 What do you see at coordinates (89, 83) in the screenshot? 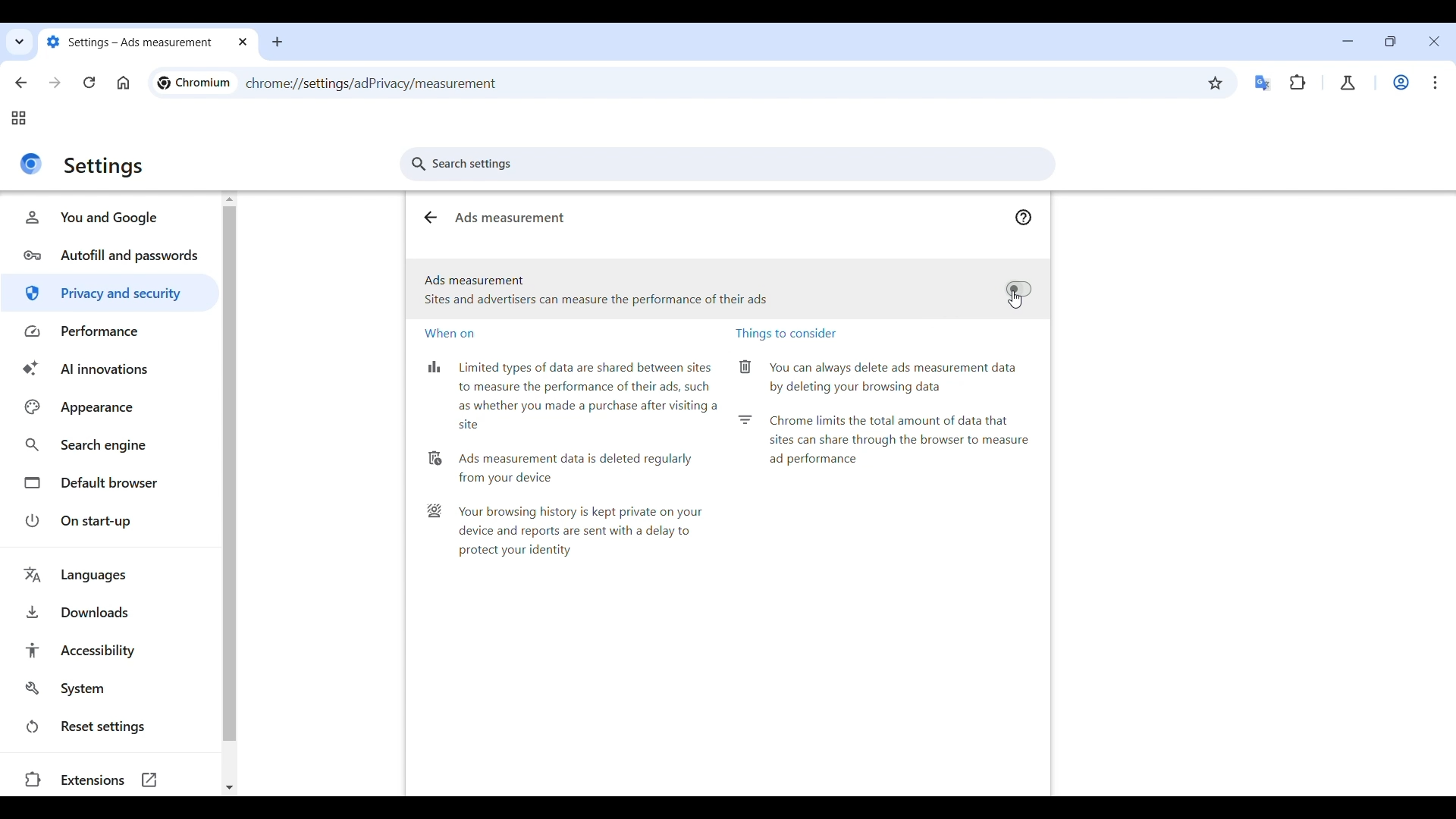
I see `Reload page` at bounding box center [89, 83].